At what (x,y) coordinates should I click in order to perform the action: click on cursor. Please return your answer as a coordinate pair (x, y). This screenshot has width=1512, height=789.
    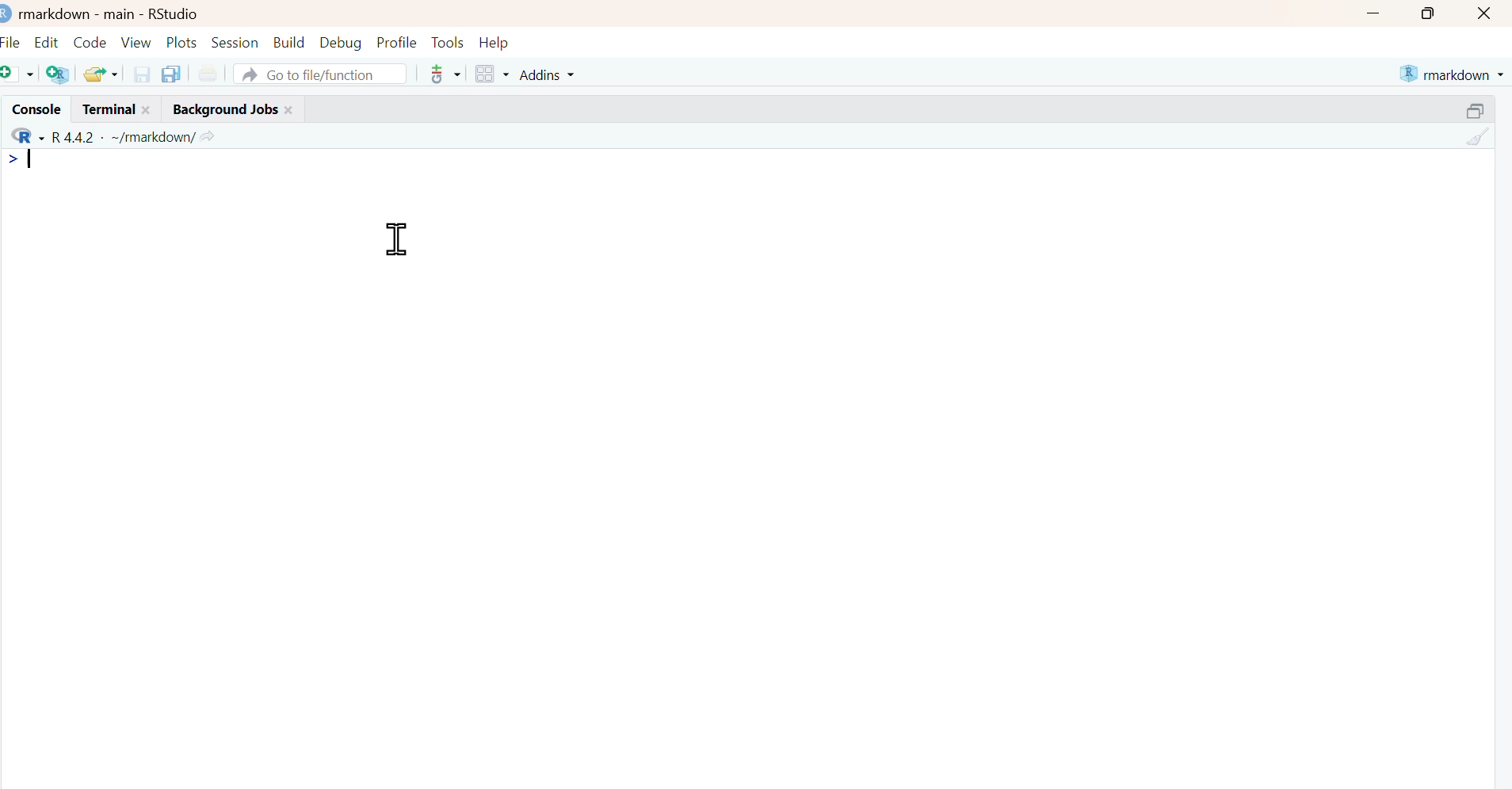
    Looking at the image, I should click on (399, 242).